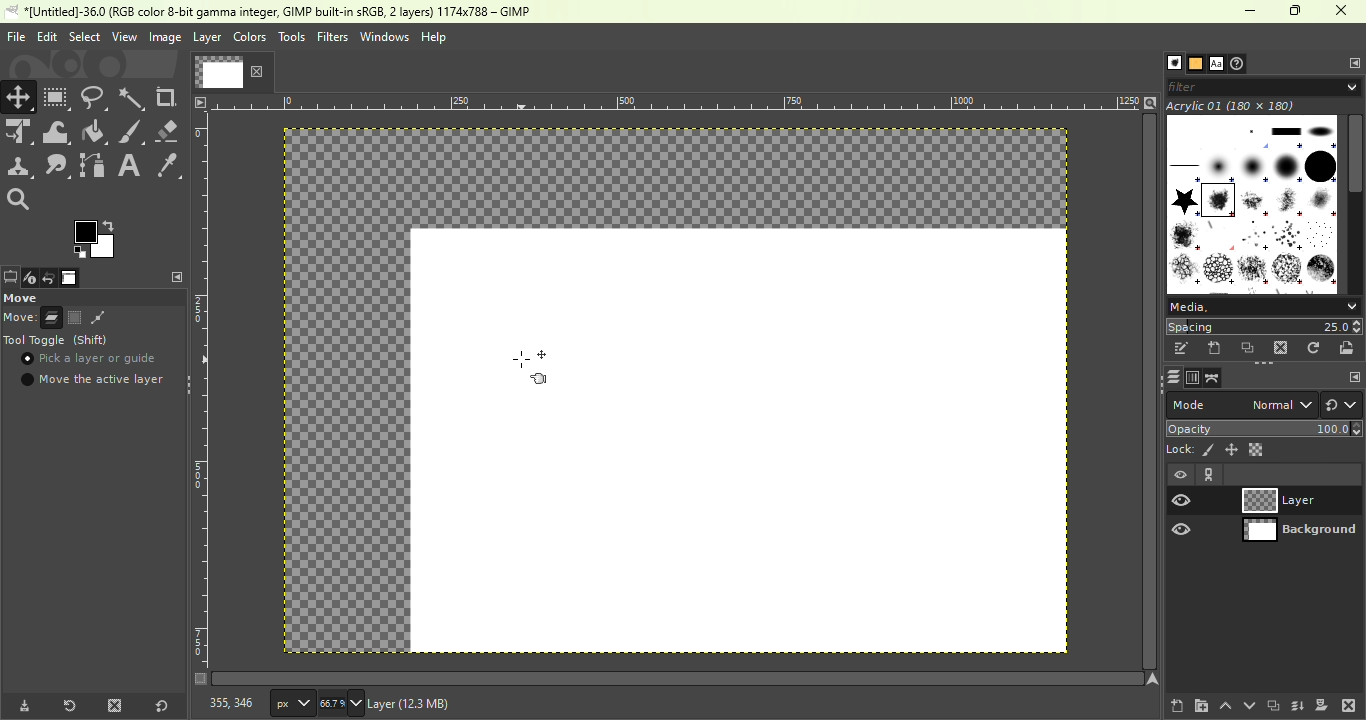 Image resolution: width=1366 pixels, height=720 pixels. Describe the element at coordinates (1344, 12) in the screenshot. I see `Close` at that location.